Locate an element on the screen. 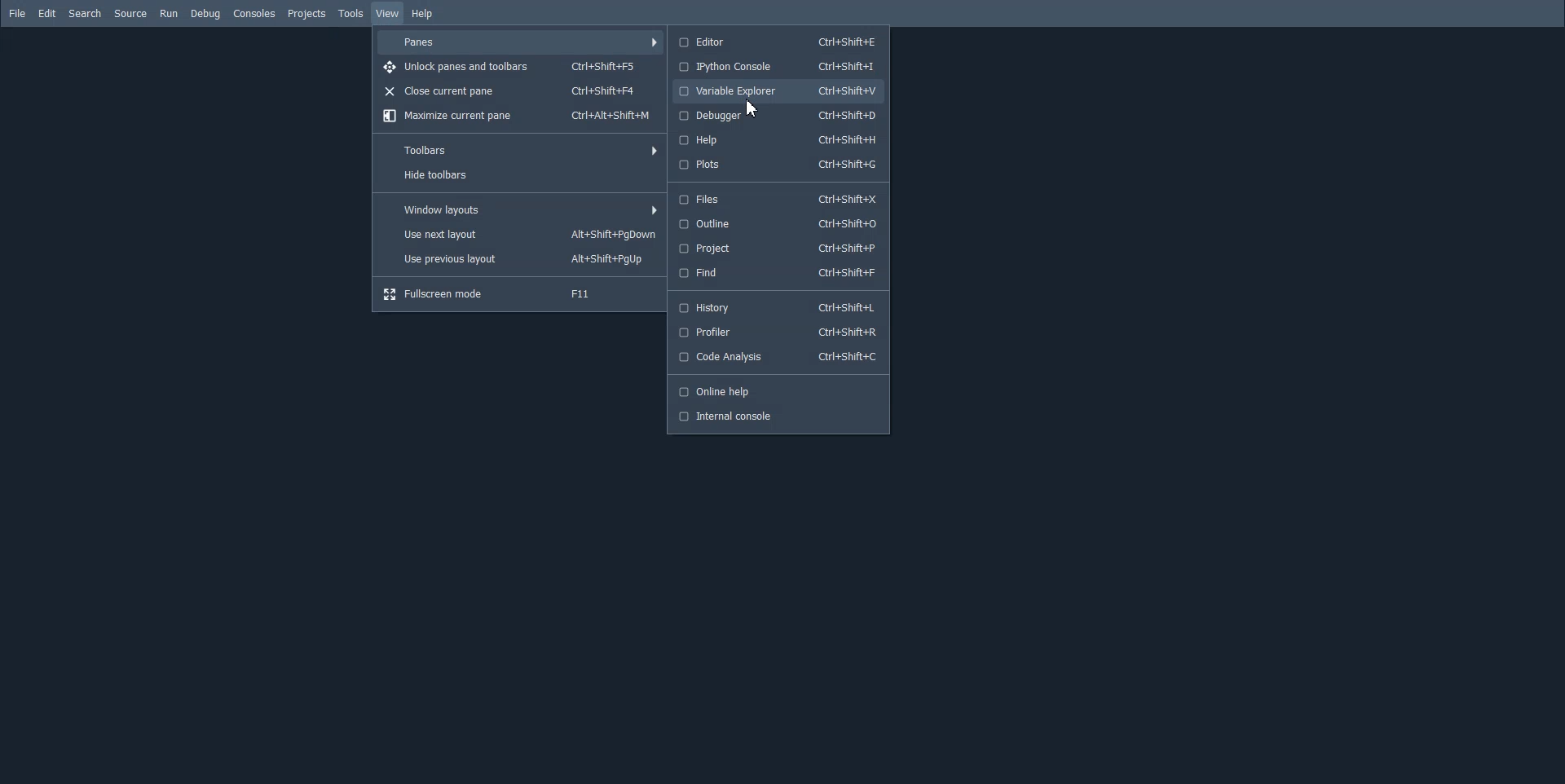  Fullscreen mode is located at coordinates (518, 294).